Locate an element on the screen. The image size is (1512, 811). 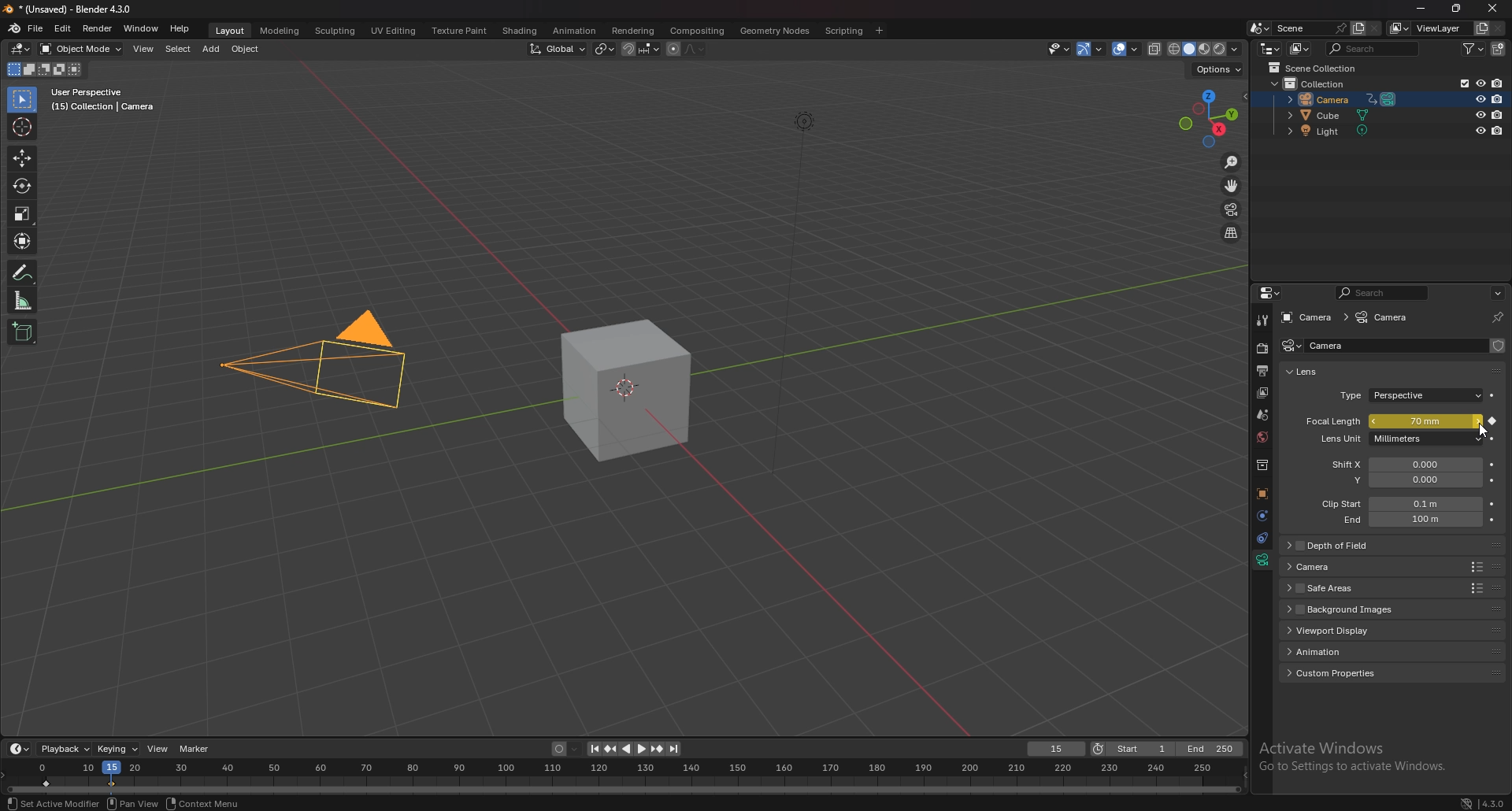
render is located at coordinates (97, 28).